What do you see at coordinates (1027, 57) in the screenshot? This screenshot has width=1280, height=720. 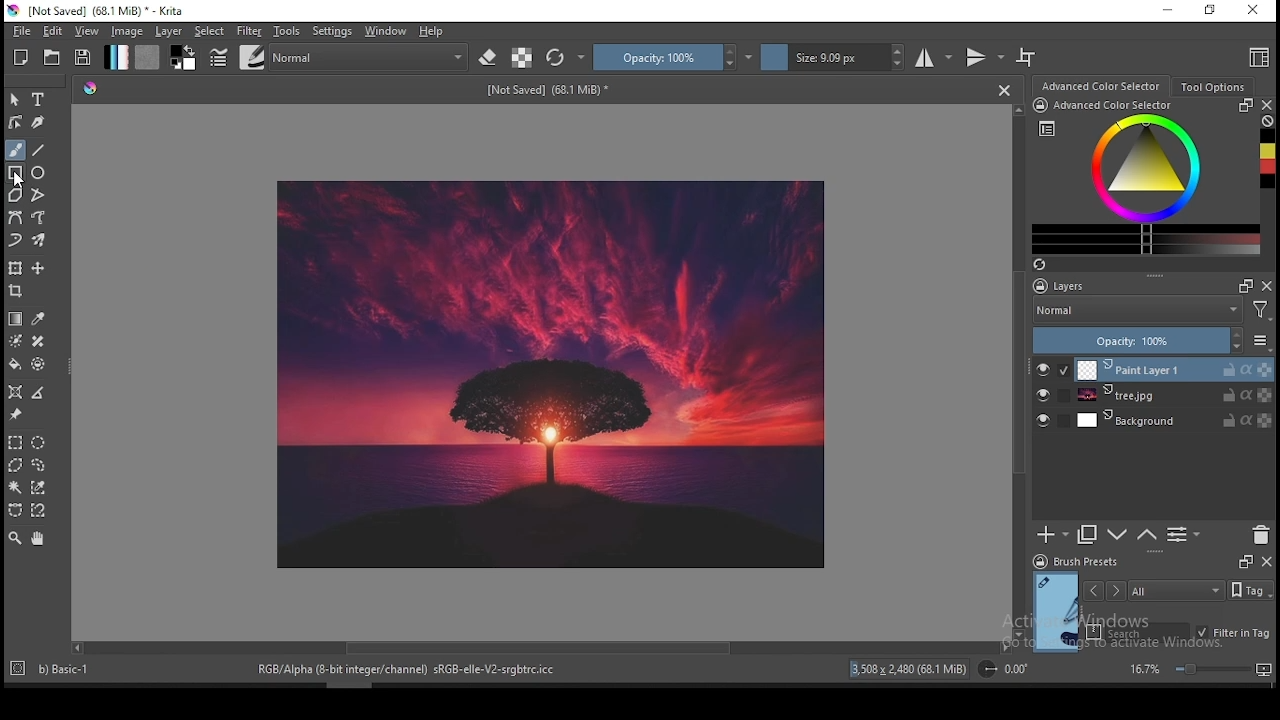 I see `wrap around mode` at bounding box center [1027, 57].